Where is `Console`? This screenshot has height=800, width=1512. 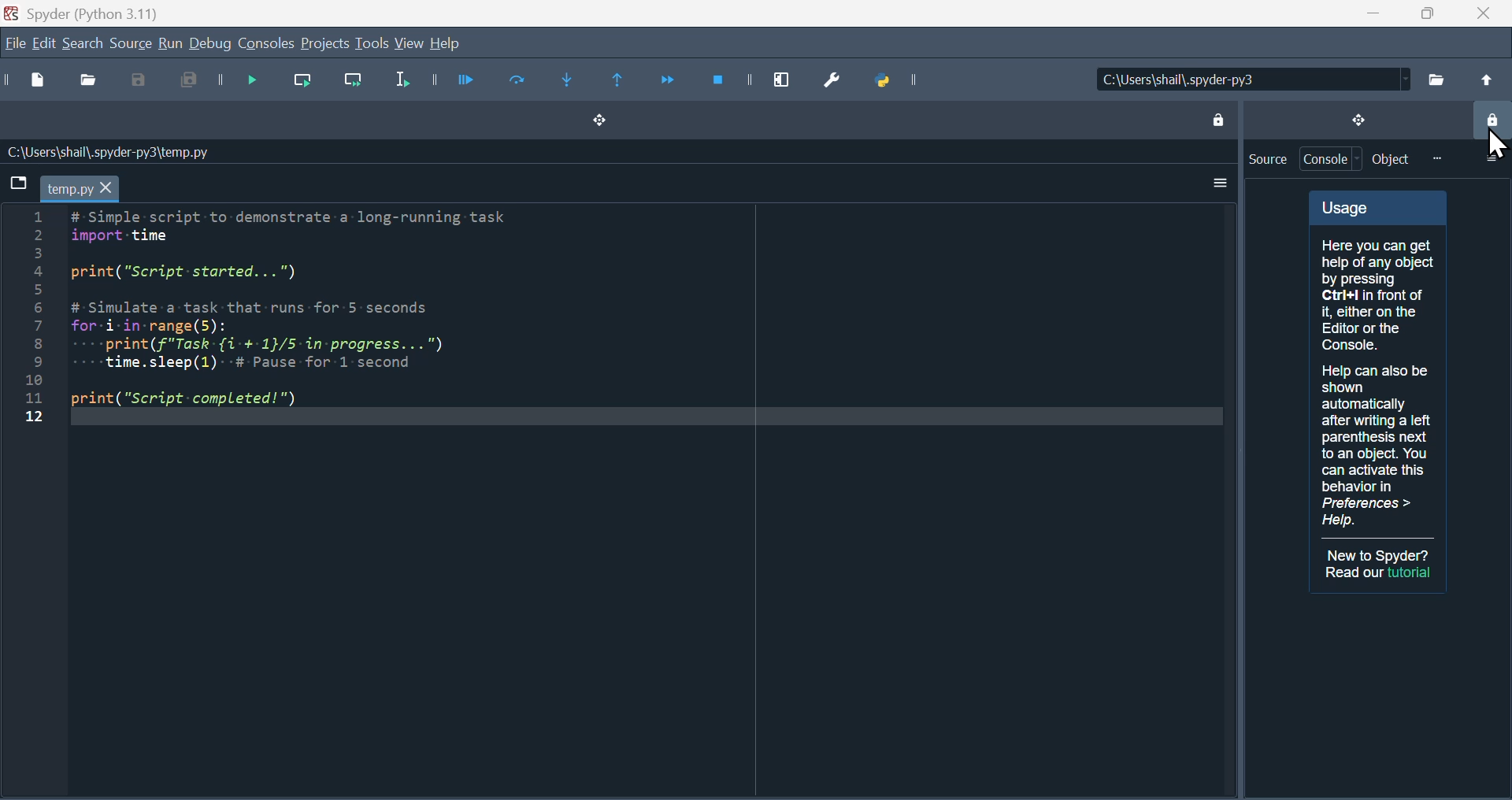 Console is located at coordinates (267, 44).